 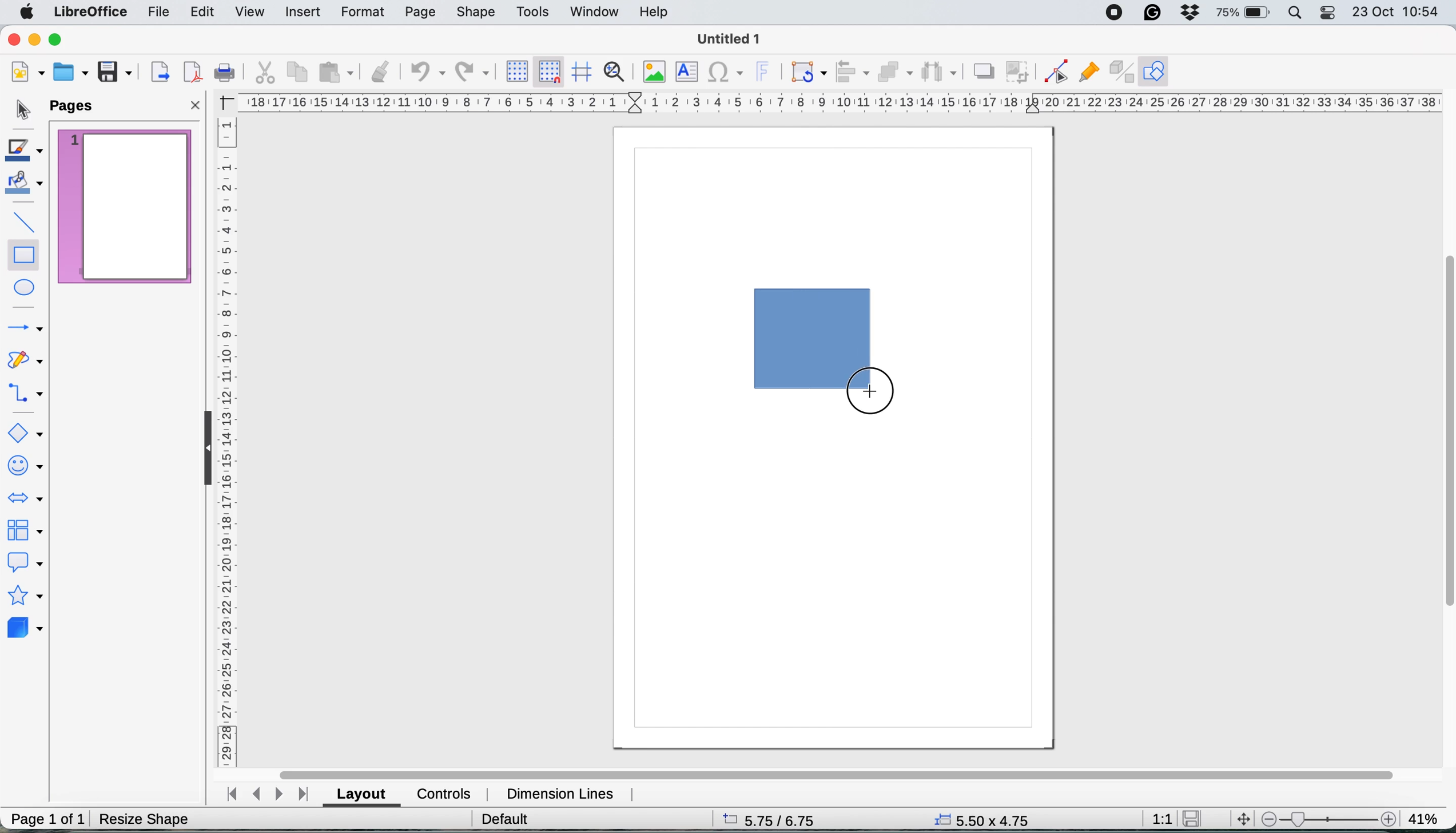 I want to click on maximise, so click(x=55, y=37).